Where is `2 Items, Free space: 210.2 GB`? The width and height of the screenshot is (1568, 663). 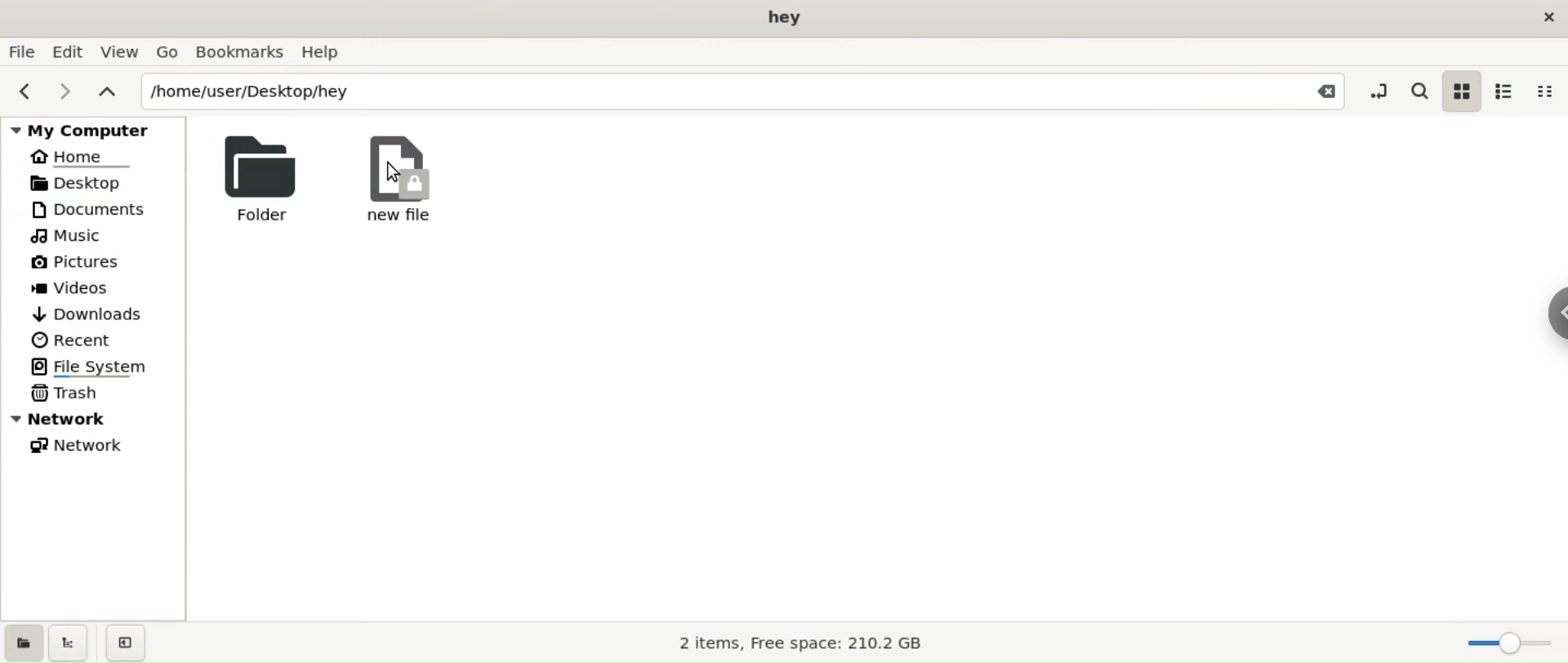
2 Items, Free space: 210.2 GB is located at coordinates (802, 644).